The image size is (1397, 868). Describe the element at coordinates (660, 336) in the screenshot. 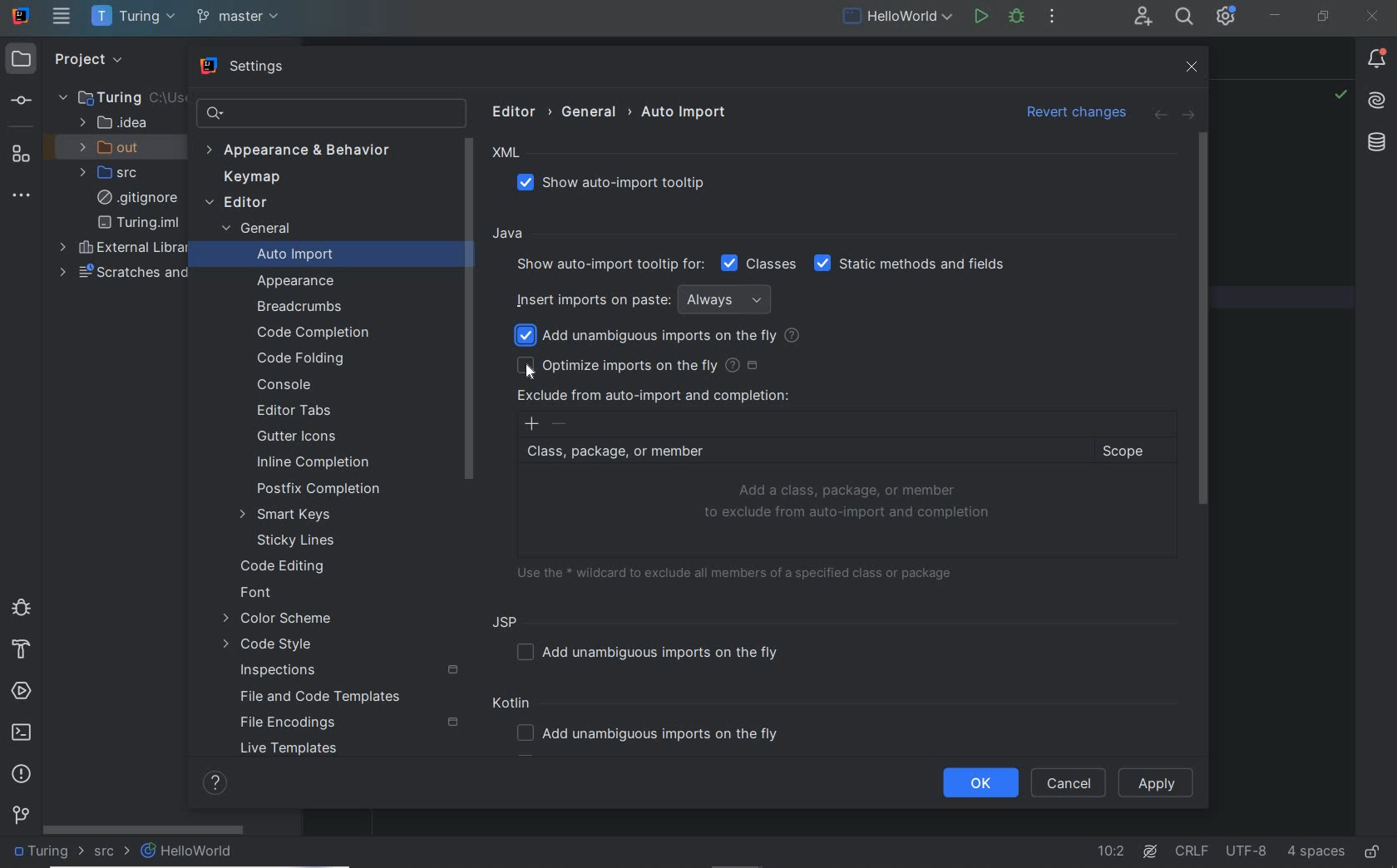

I see `ADD UNAMBIGUOUS IMPORTS ON THE FLY (checked)` at that location.